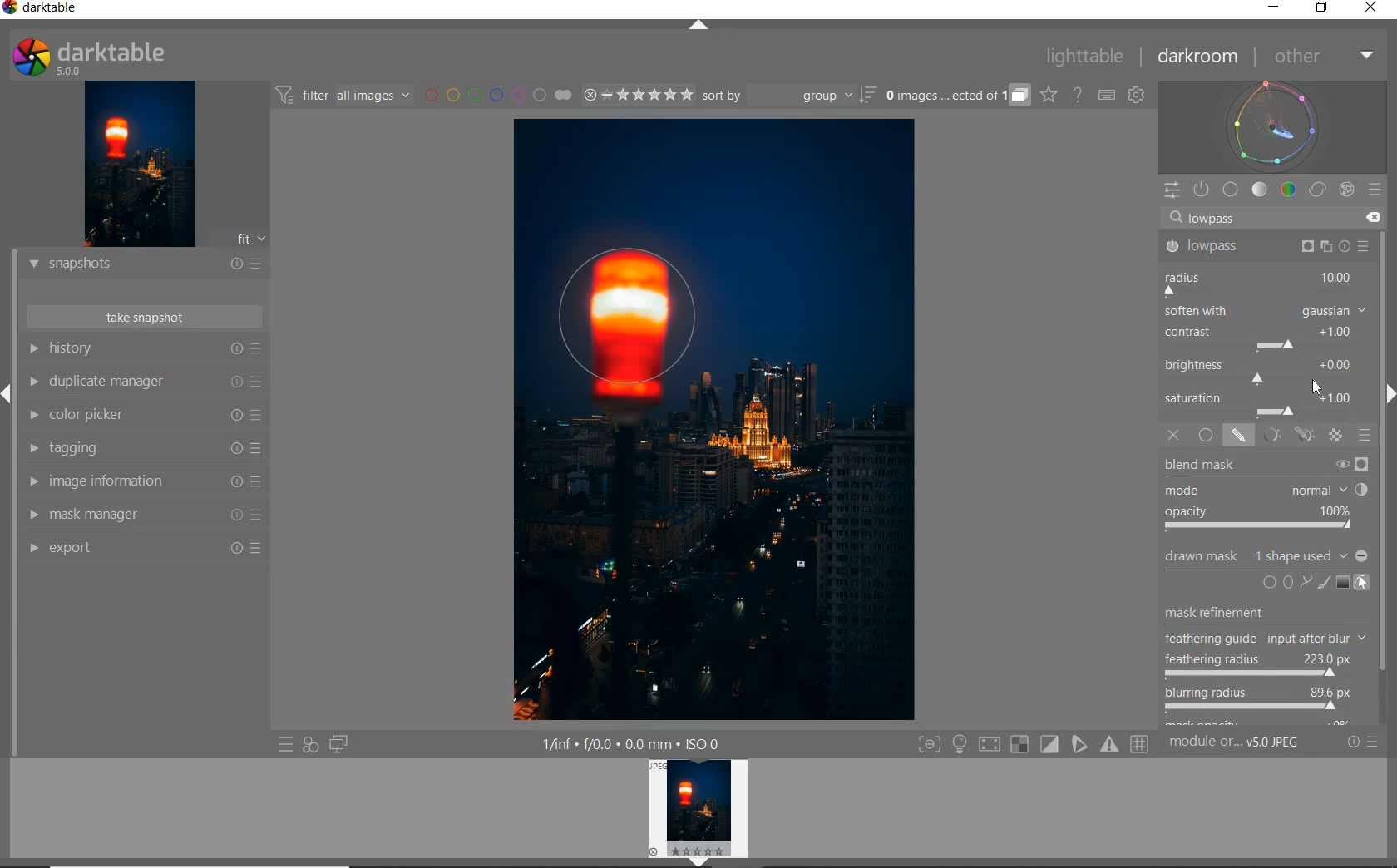 The width and height of the screenshot is (1397, 868). What do you see at coordinates (1251, 744) in the screenshot?
I see `MODULE...v5.0 JPEG` at bounding box center [1251, 744].